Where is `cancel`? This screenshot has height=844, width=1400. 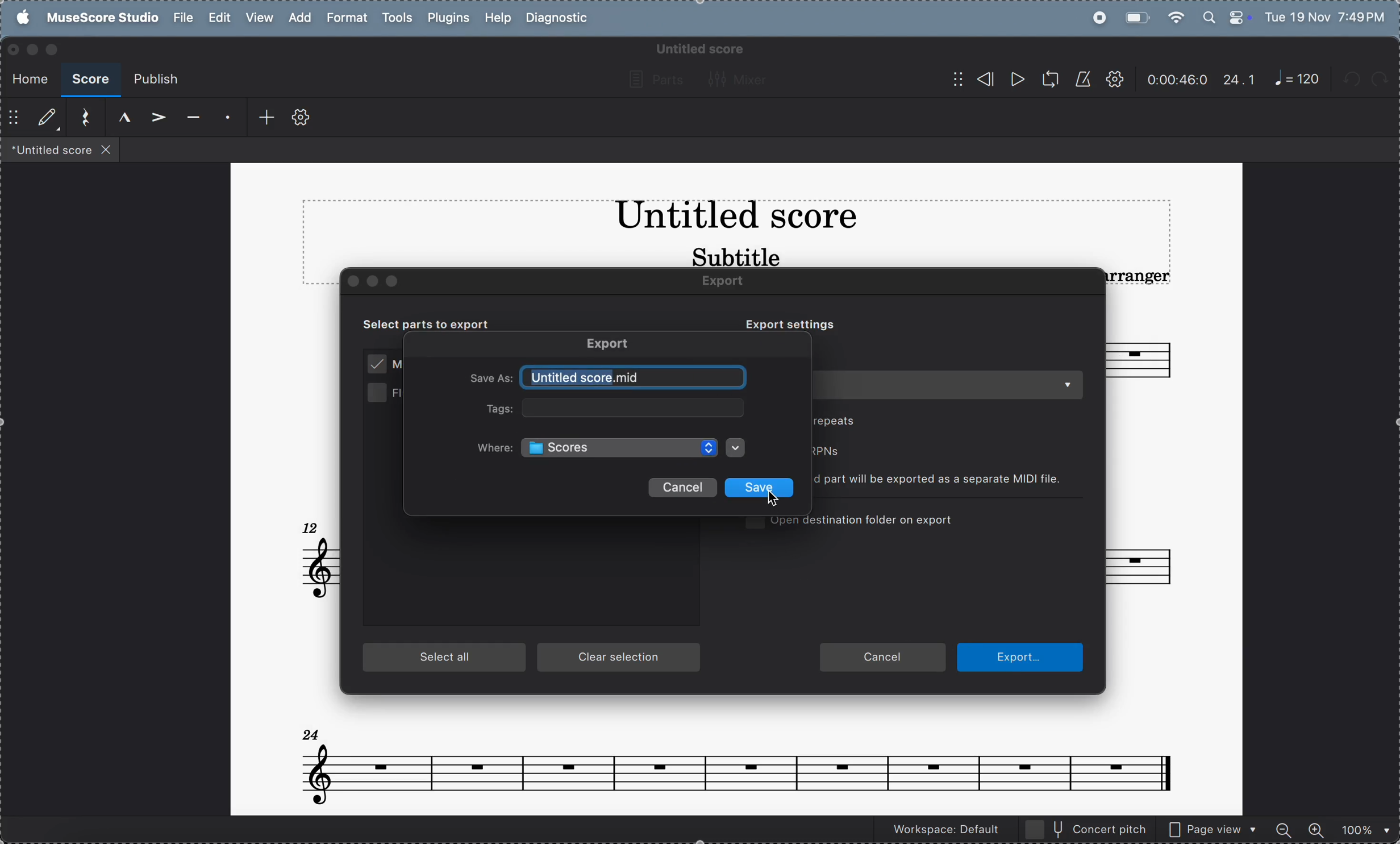 cancel is located at coordinates (682, 488).